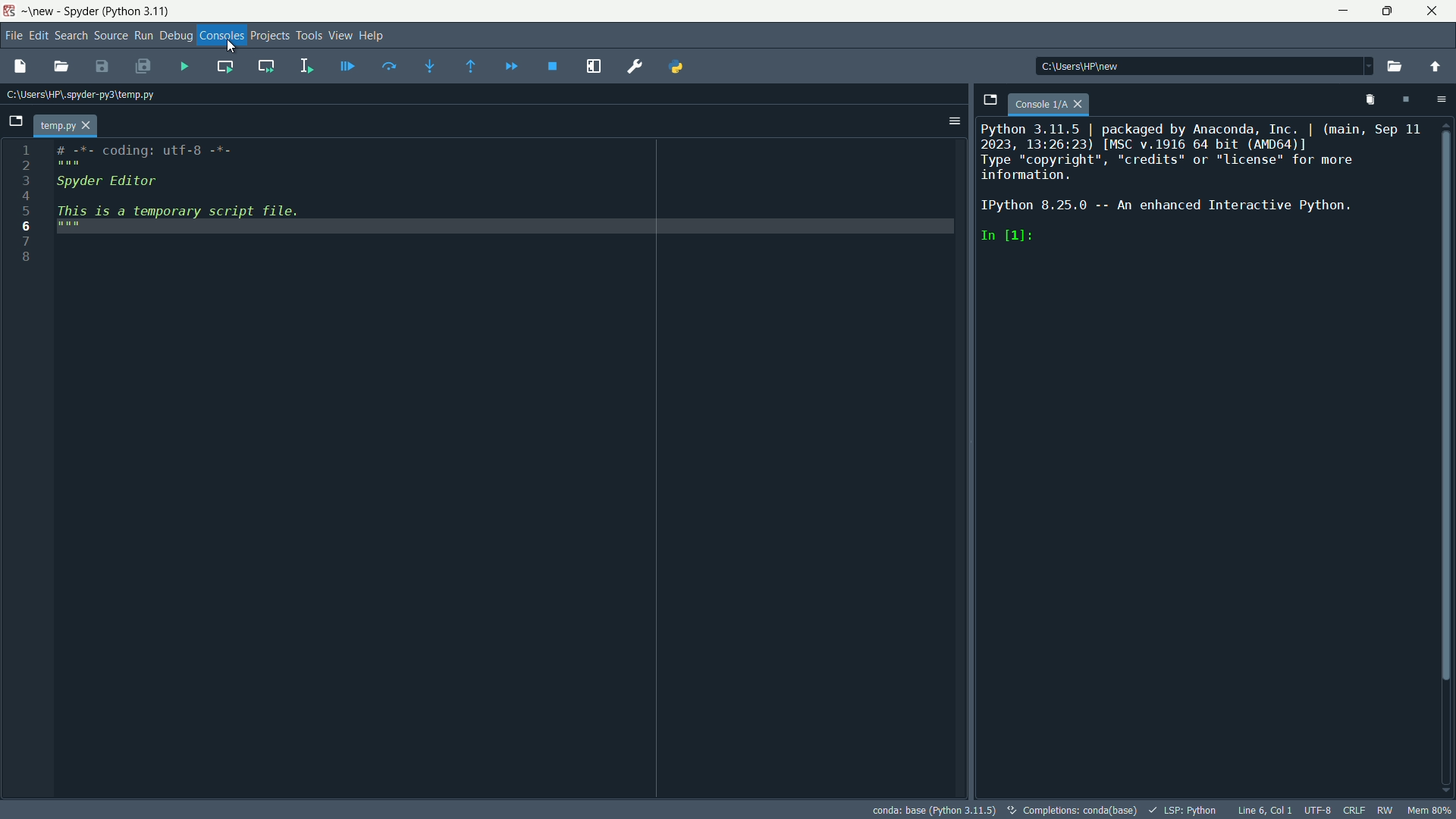  What do you see at coordinates (1346, 12) in the screenshot?
I see `minimize` at bounding box center [1346, 12].